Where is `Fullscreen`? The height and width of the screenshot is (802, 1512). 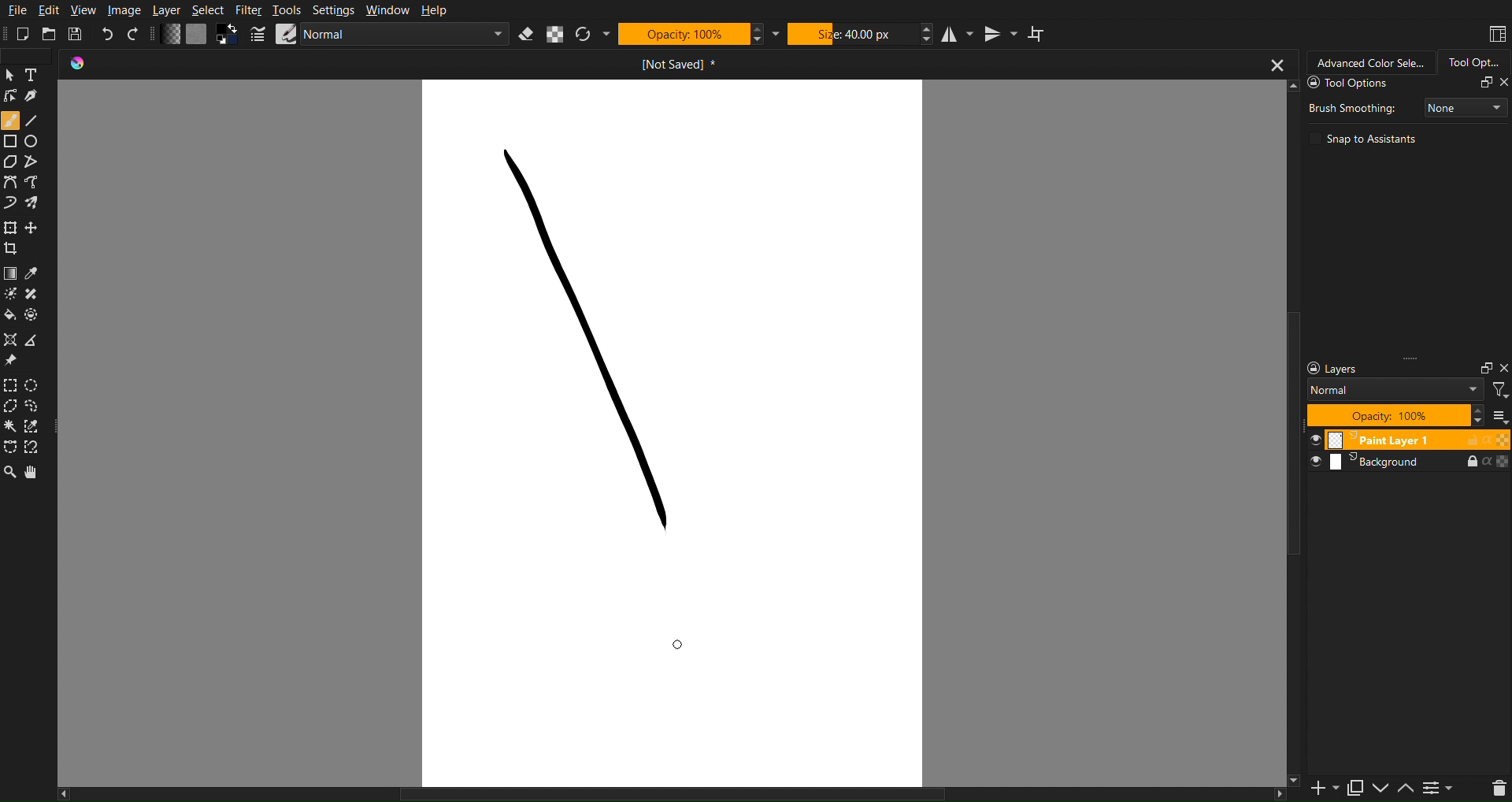
Fullscreen is located at coordinates (1484, 83).